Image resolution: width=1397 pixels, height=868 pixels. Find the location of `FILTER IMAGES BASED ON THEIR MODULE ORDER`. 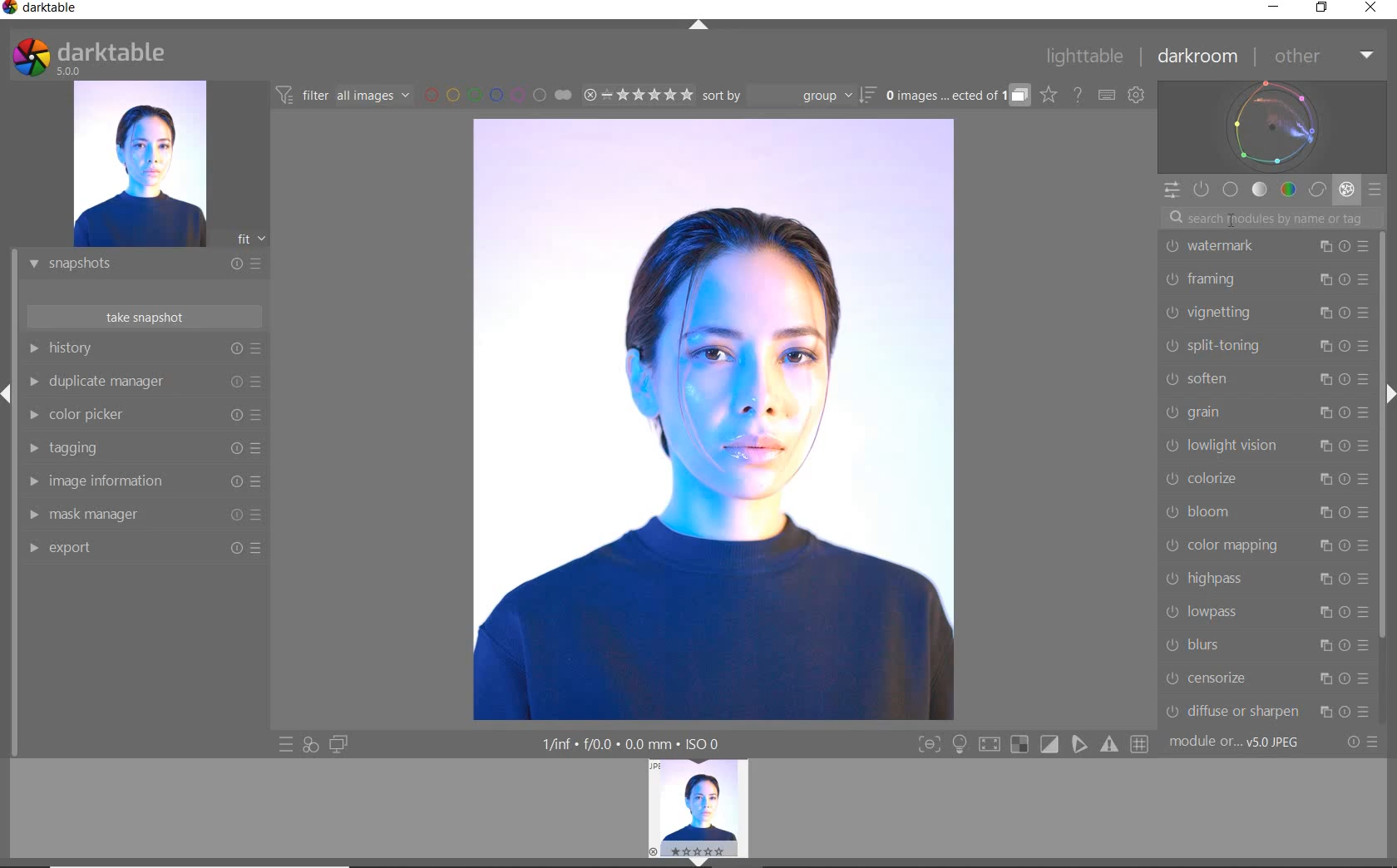

FILTER IMAGES BASED ON THEIR MODULE ORDER is located at coordinates (343, 98).